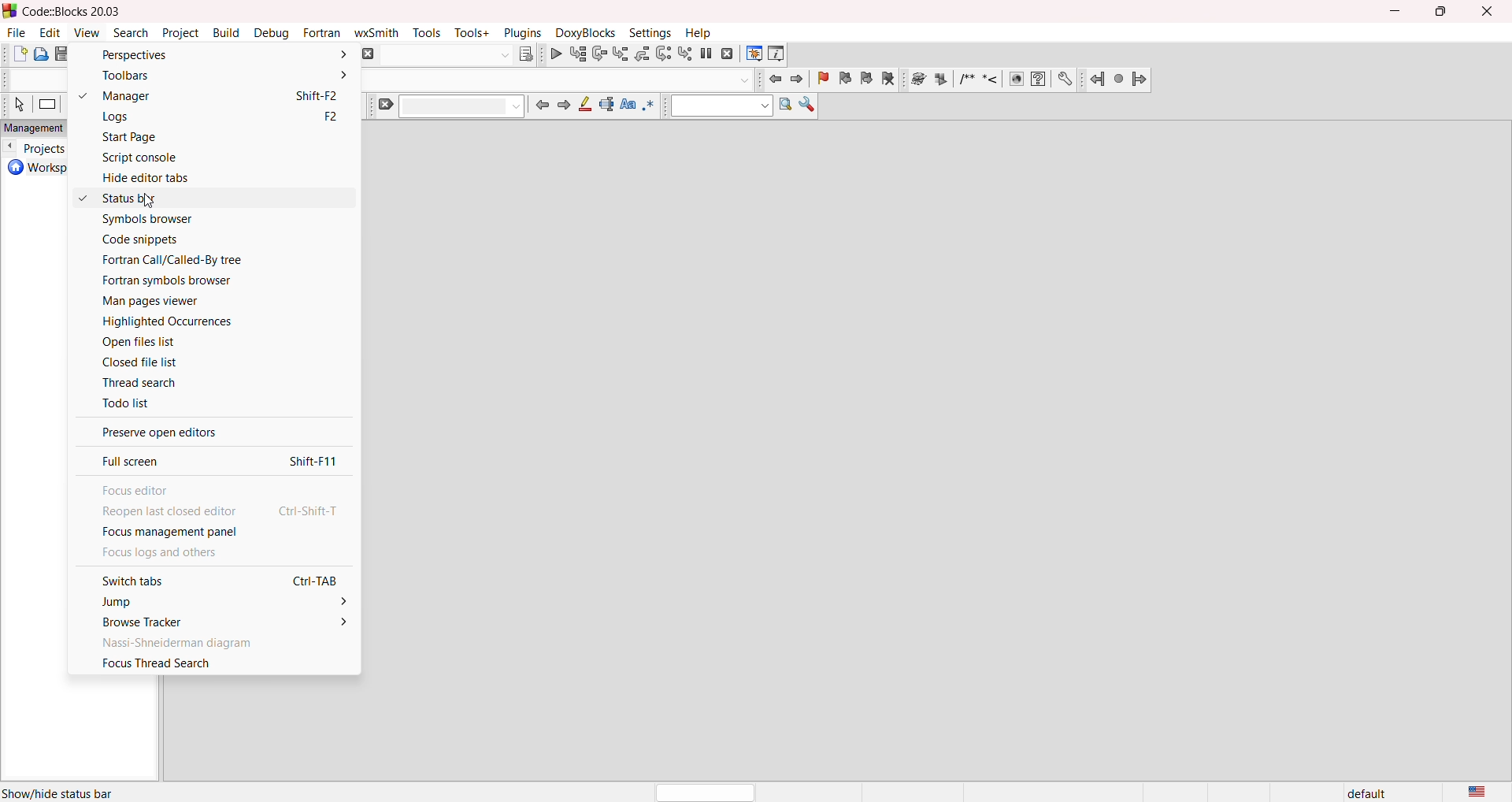 This screenshot has height=802, width=1512. I want to click on text to search, so click(721, 106).